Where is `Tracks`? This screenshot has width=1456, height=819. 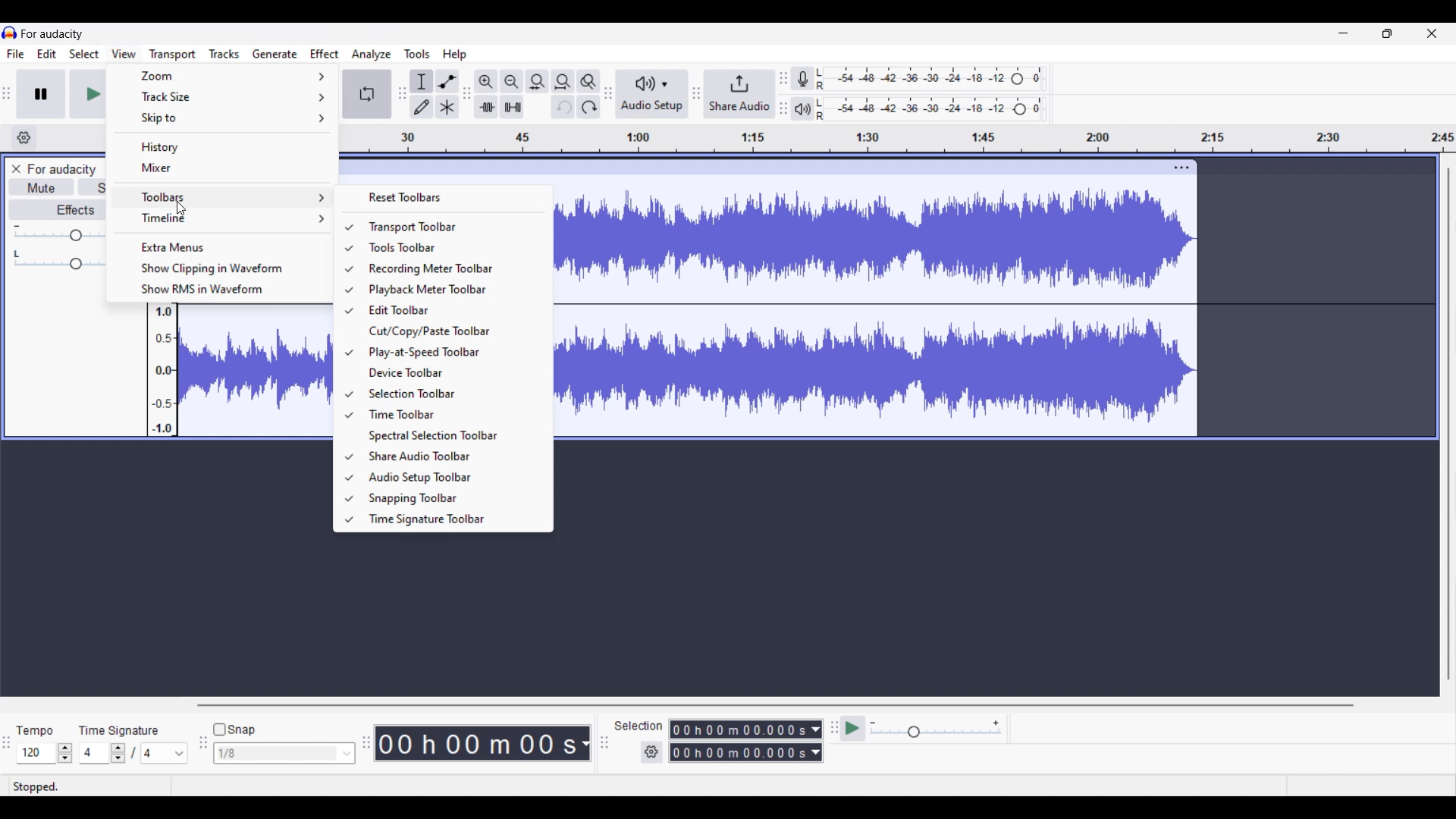 Tracks is located at coordinates (225, 53).